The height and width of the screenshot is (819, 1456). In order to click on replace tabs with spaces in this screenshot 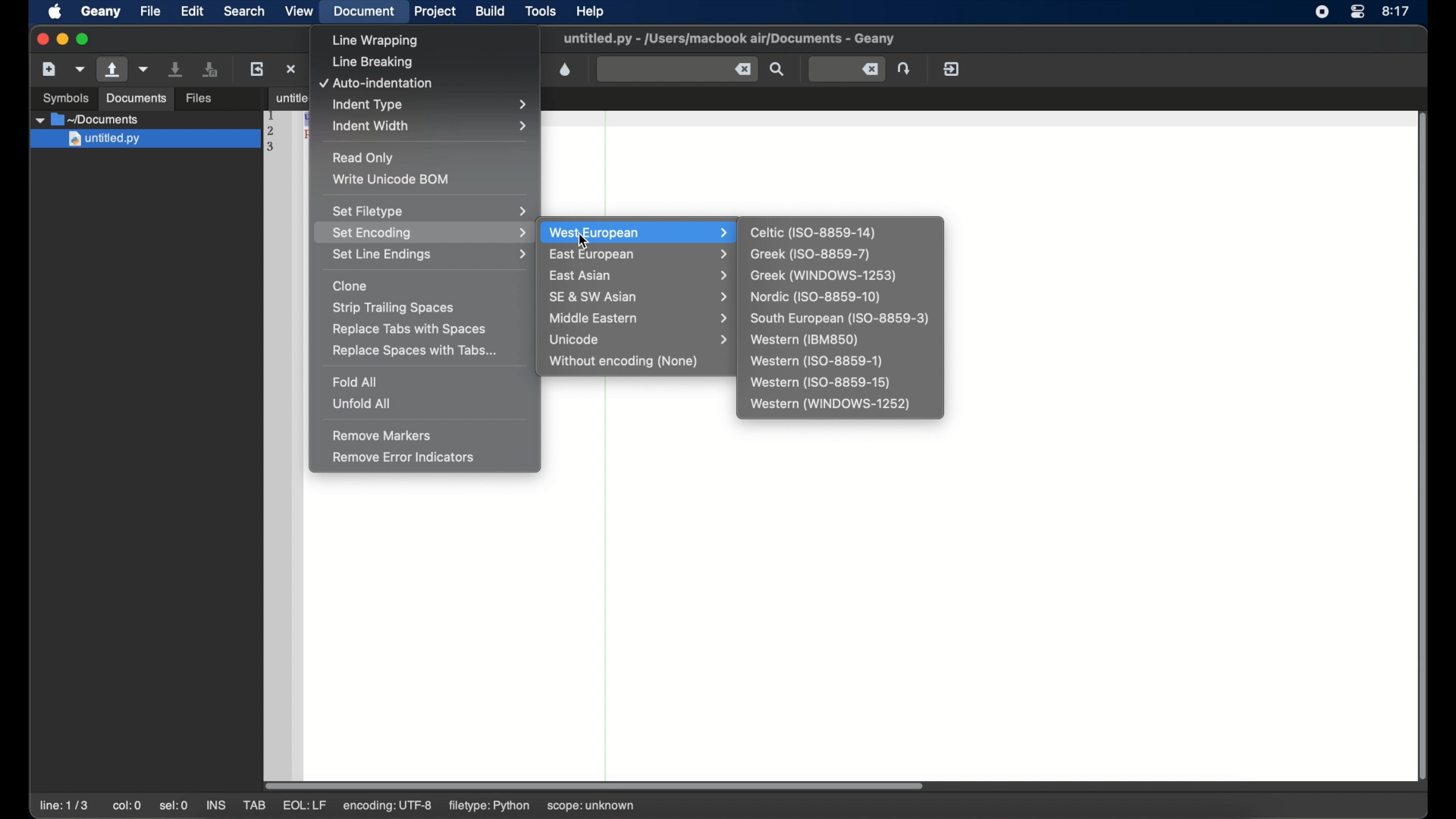, I will do `click(410, 329)`.